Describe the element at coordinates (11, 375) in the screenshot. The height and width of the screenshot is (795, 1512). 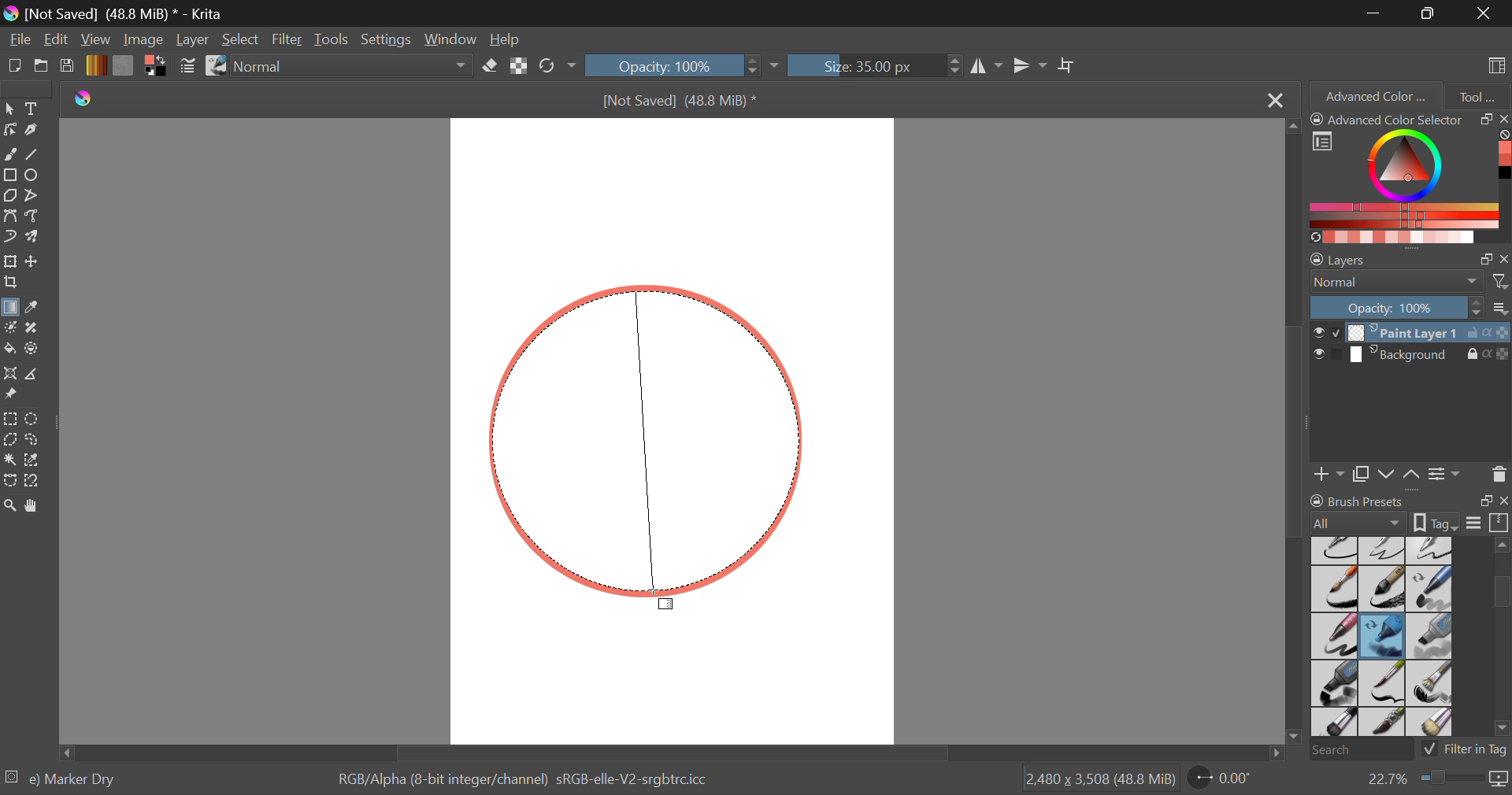
I see `Assistant Tool` at that location.